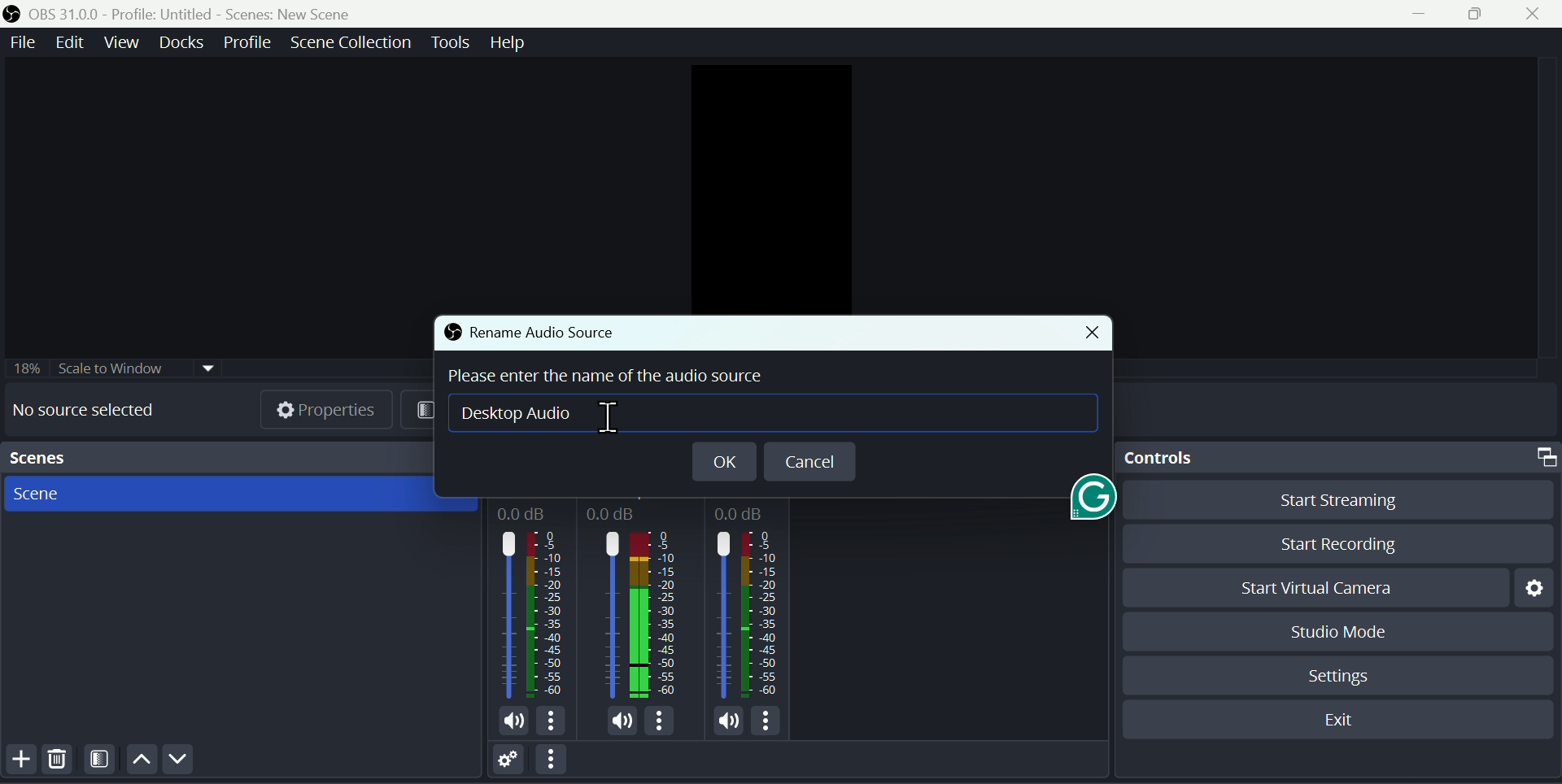 The image size is (1562, 784). I want to click on maximise, so click(1477, 15).